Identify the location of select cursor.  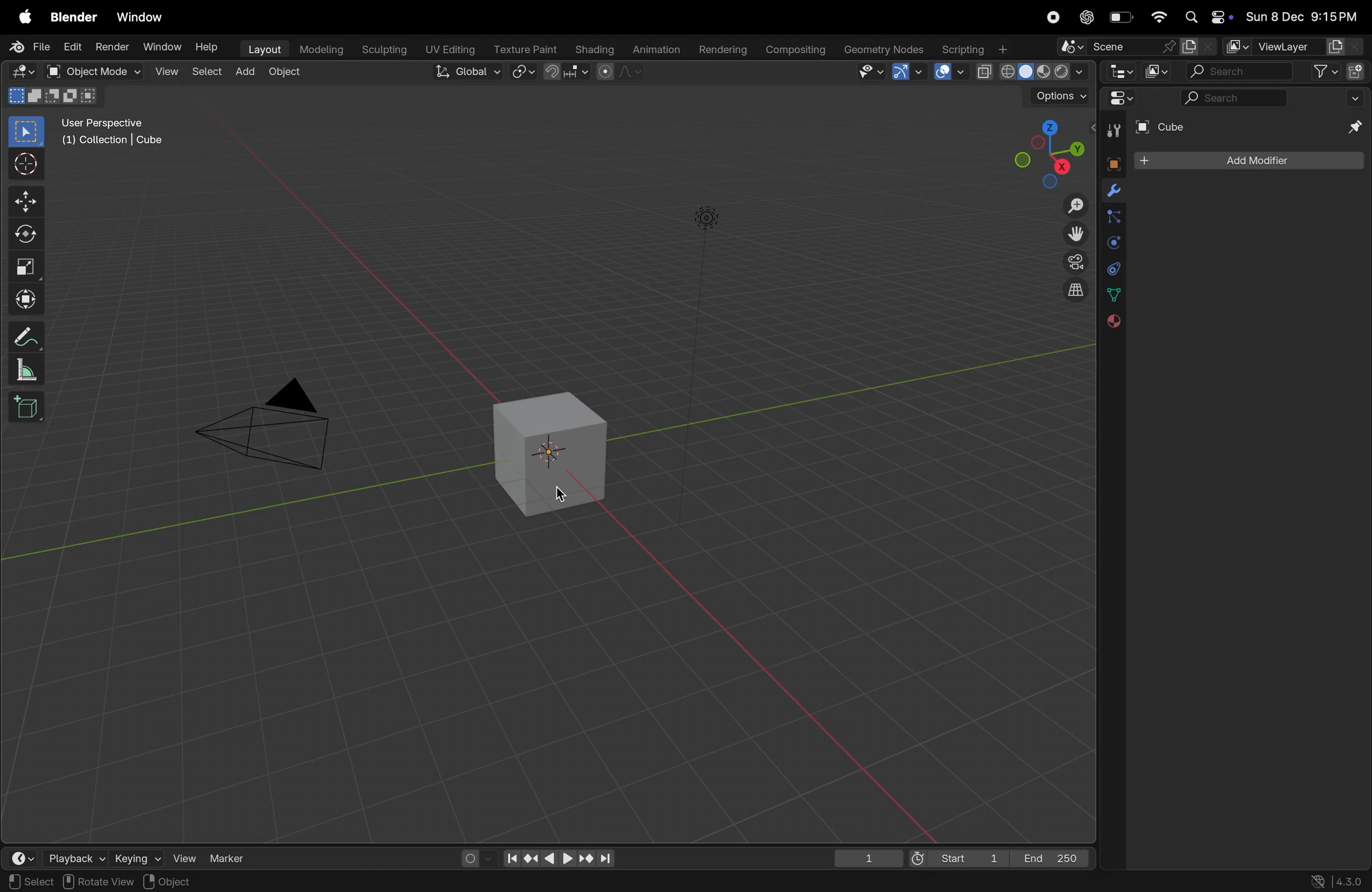
(26, 167).